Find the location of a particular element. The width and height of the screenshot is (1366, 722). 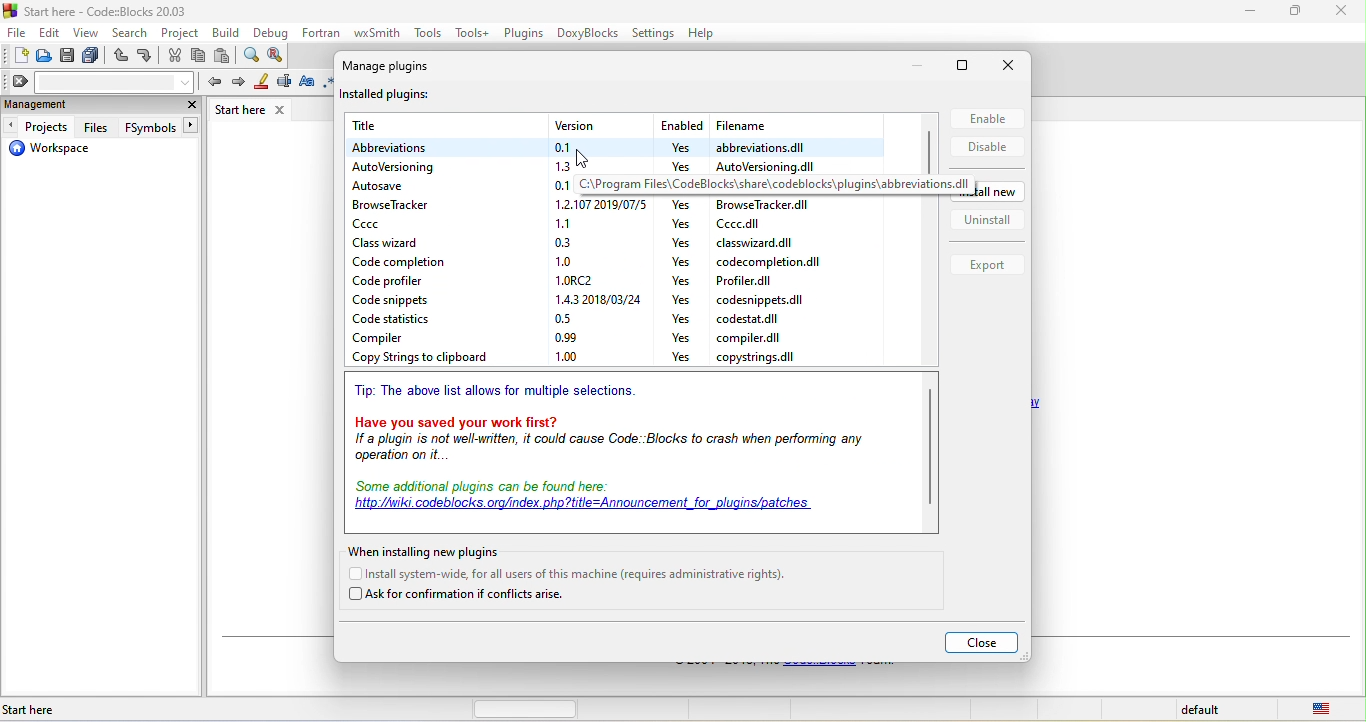

edit is located at coordinates (49, 31).